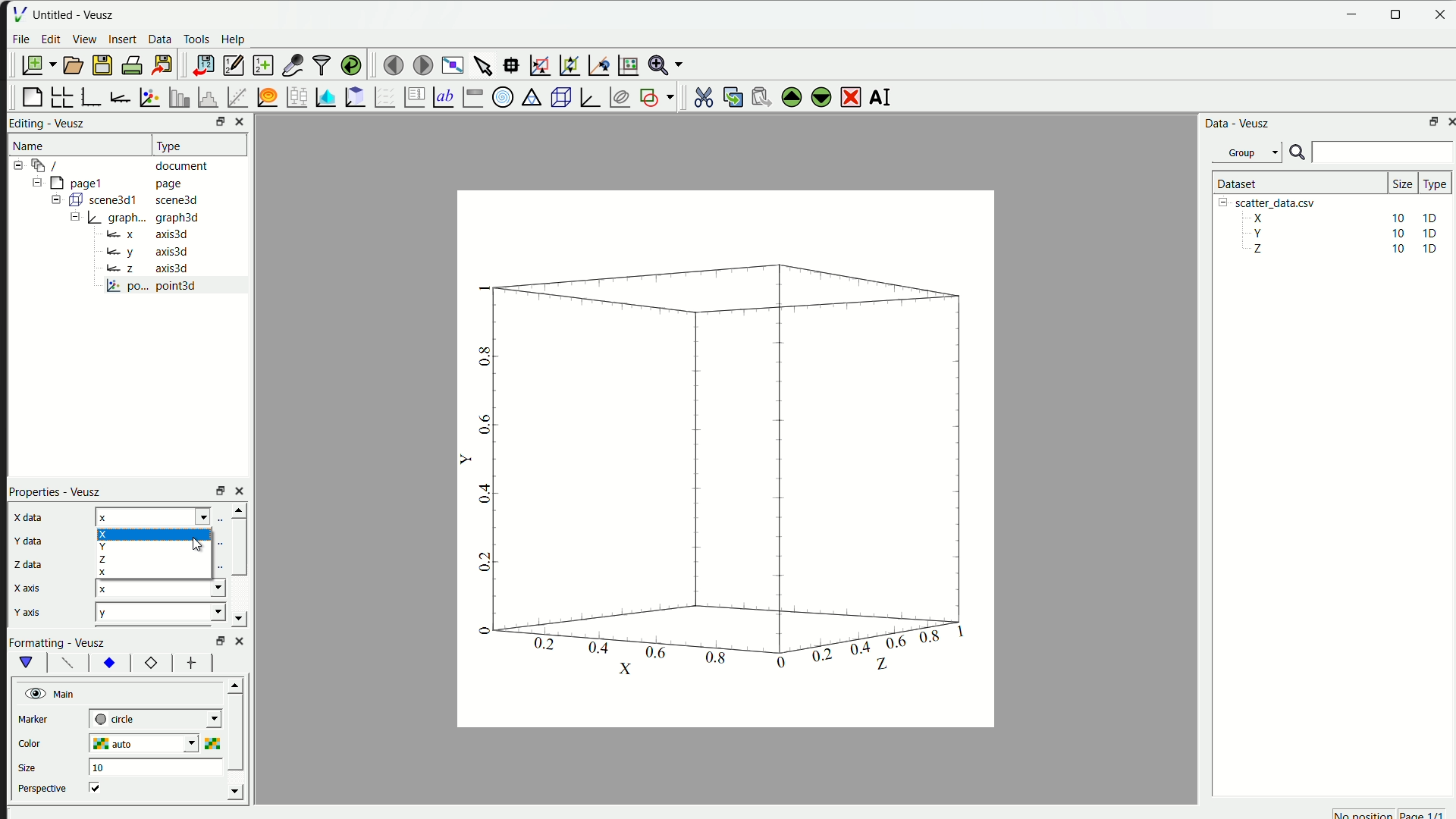 The height and width of the screenshot is (819, 1456). What do you see at coordinates (109, 165) in the screenshot?
I see `12-9 / document` at bounding box center [109, 165].